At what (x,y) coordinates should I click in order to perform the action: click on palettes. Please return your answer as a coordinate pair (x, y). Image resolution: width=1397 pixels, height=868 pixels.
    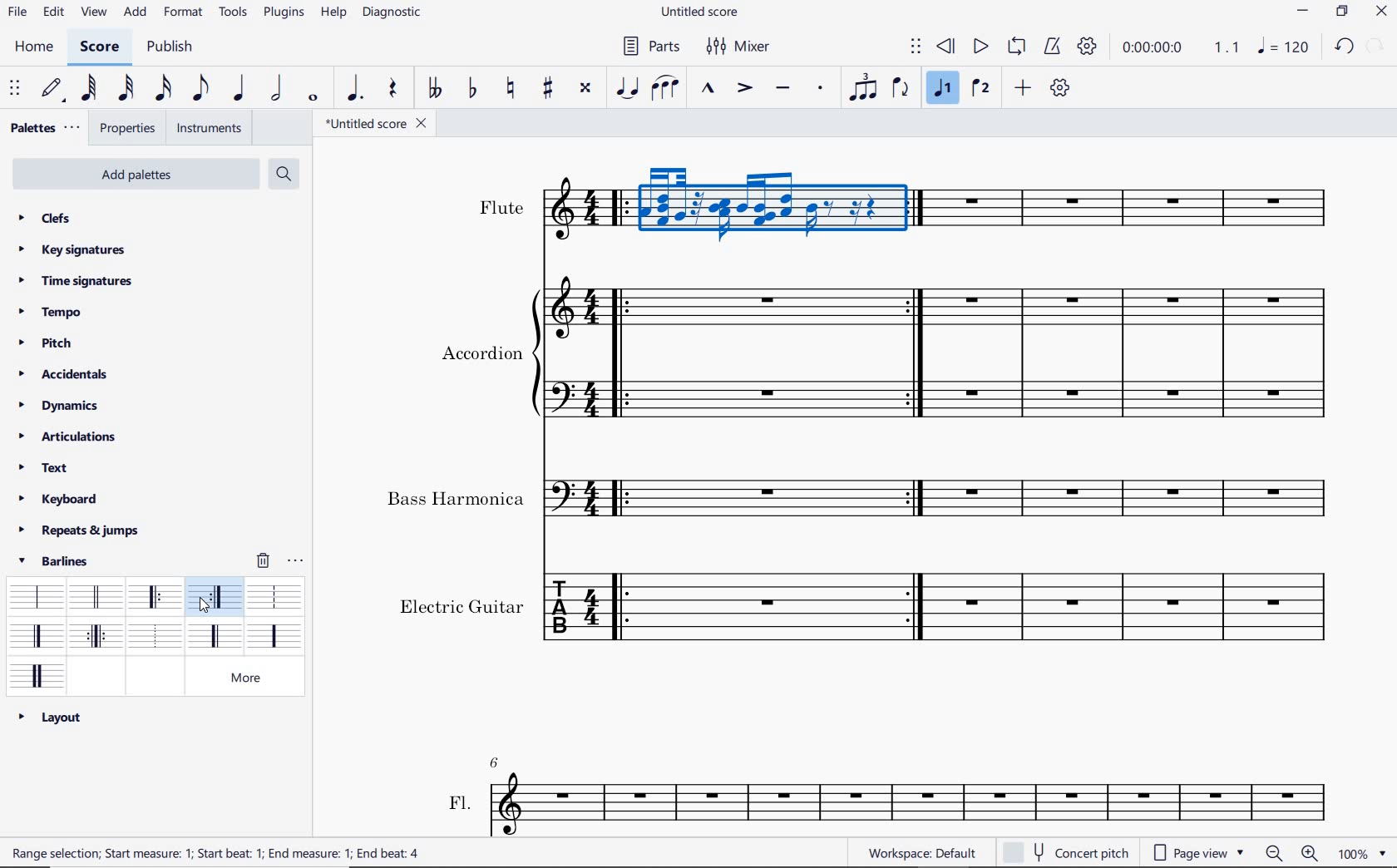
    Looking at the image, I should click on (43, 128).